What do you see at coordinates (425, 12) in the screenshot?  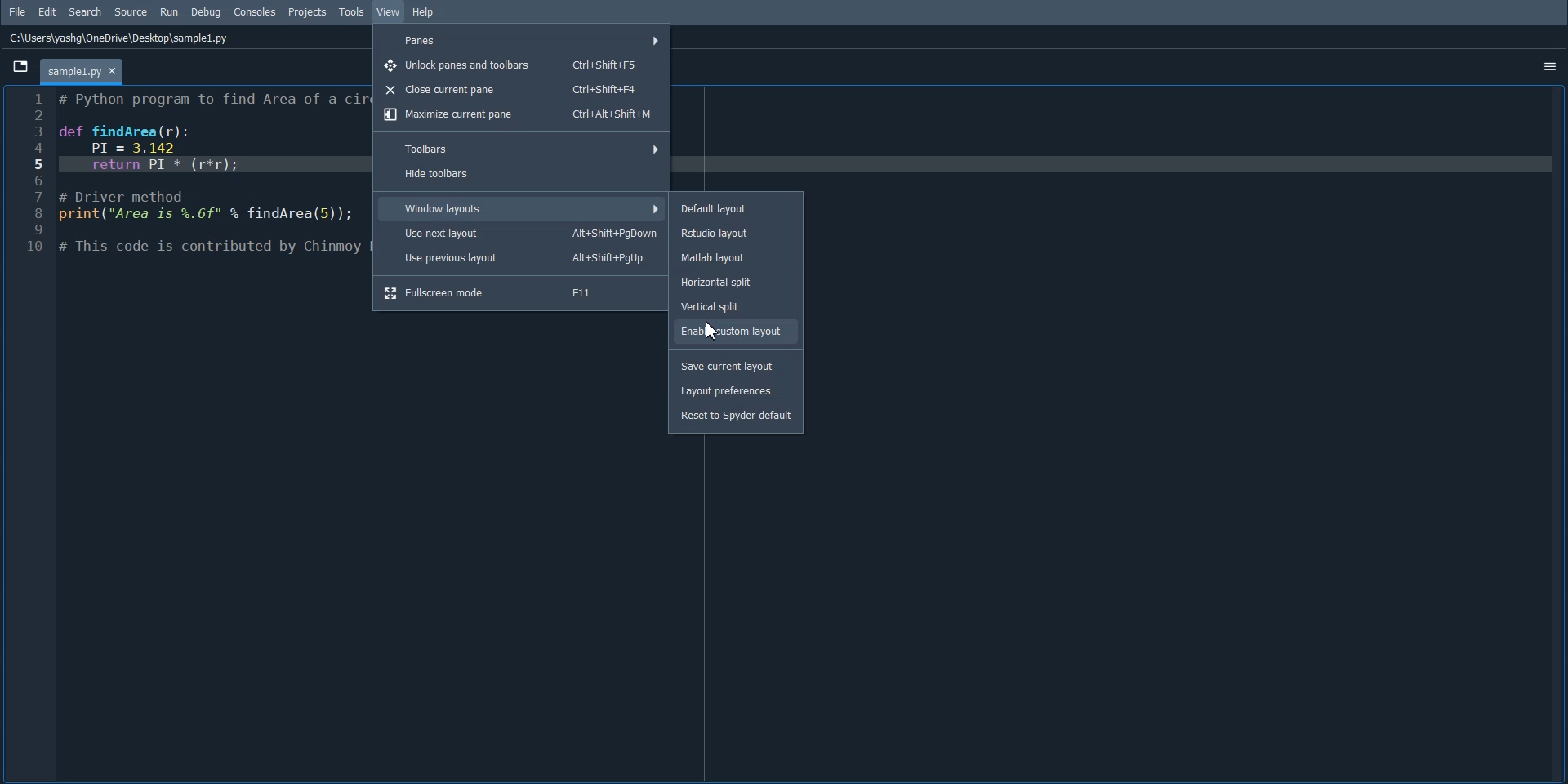 I see `Help` at bounding box center [425, 12].